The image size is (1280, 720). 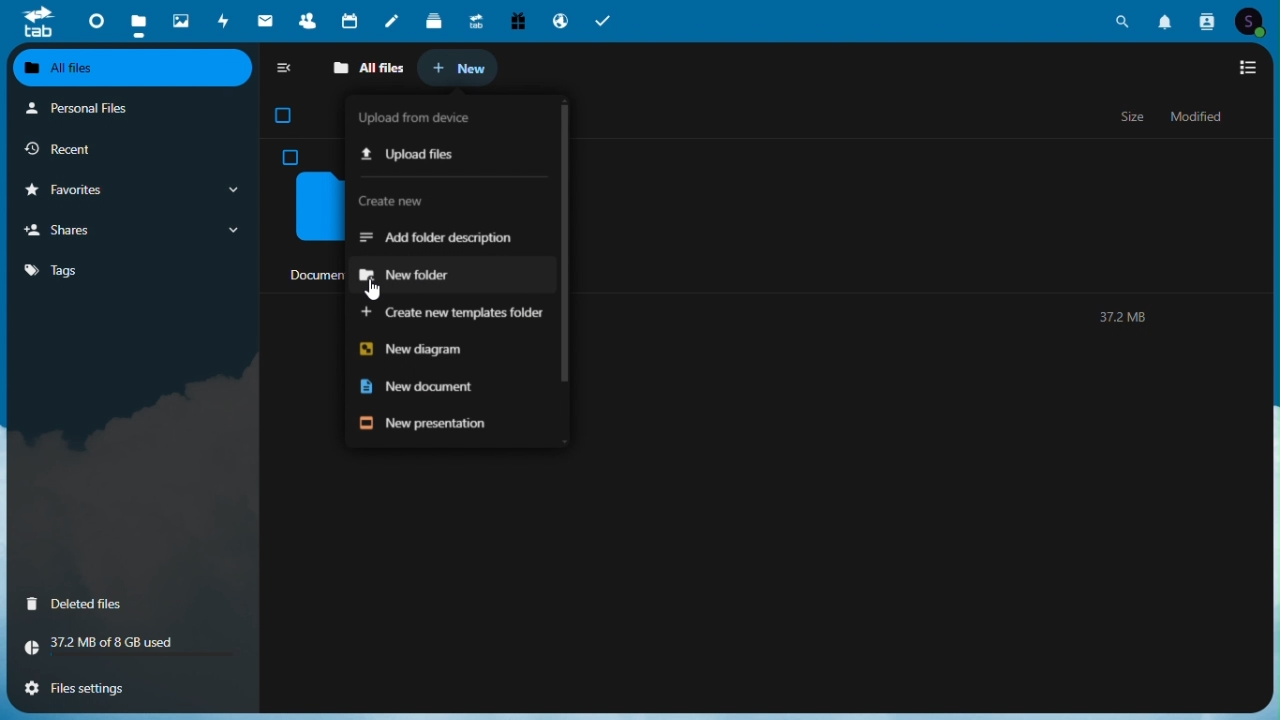 I want to click on New presentation, so click(x=421, y=423).